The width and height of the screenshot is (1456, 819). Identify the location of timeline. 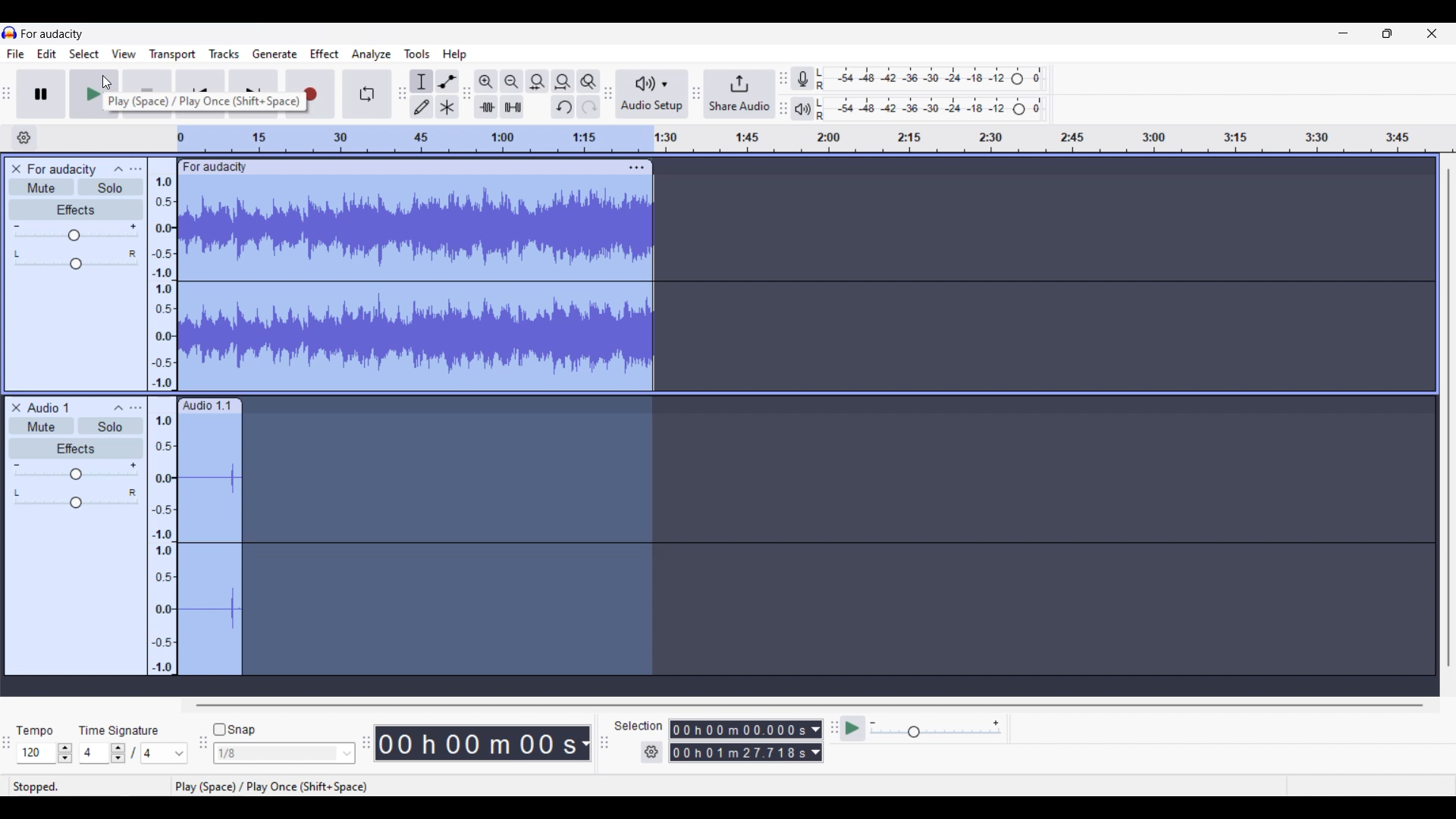
(816, 139).